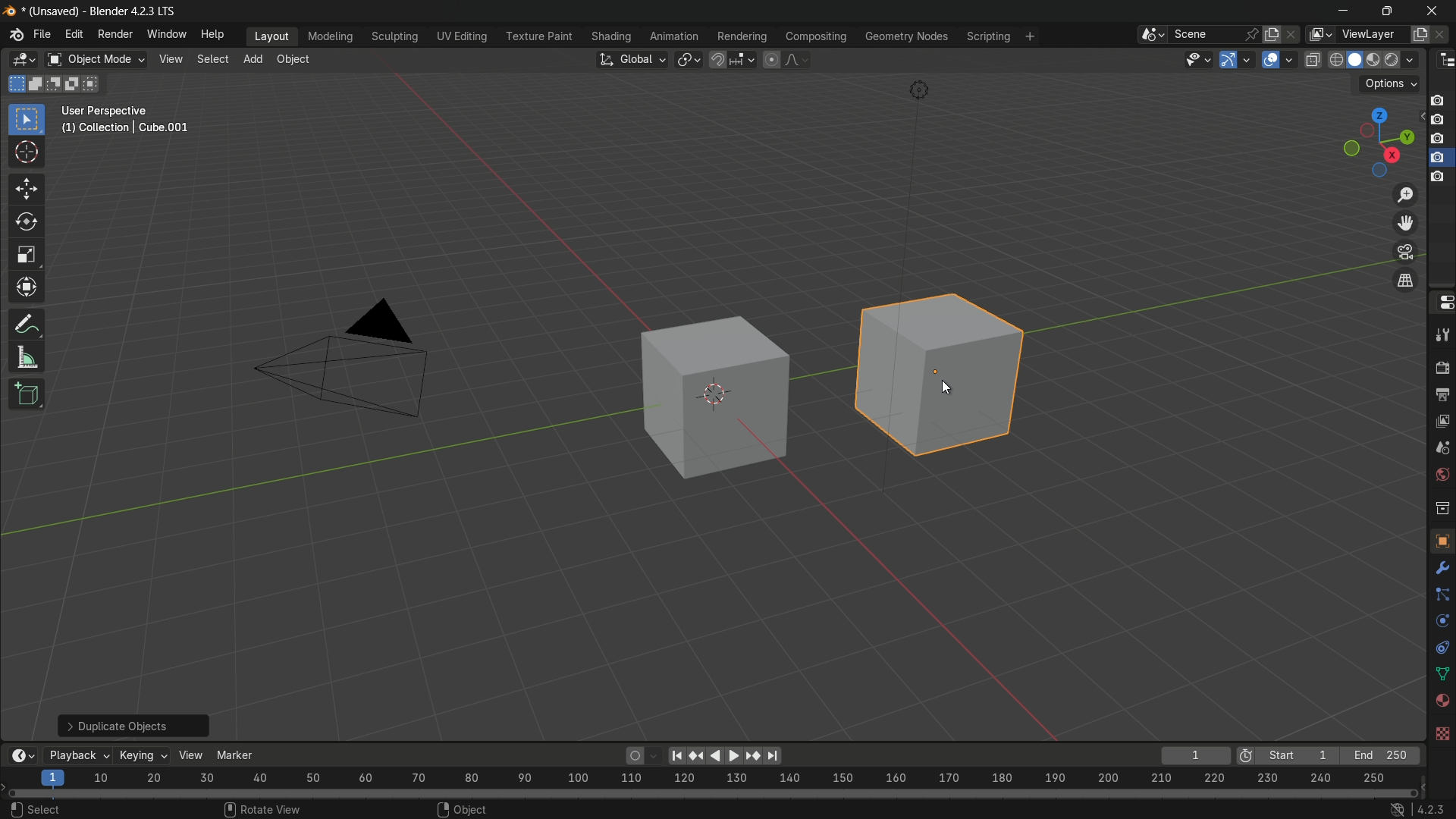 The height and width of the screenshot is (819, 1456). I want to click on shading menu, so click(609, 37).